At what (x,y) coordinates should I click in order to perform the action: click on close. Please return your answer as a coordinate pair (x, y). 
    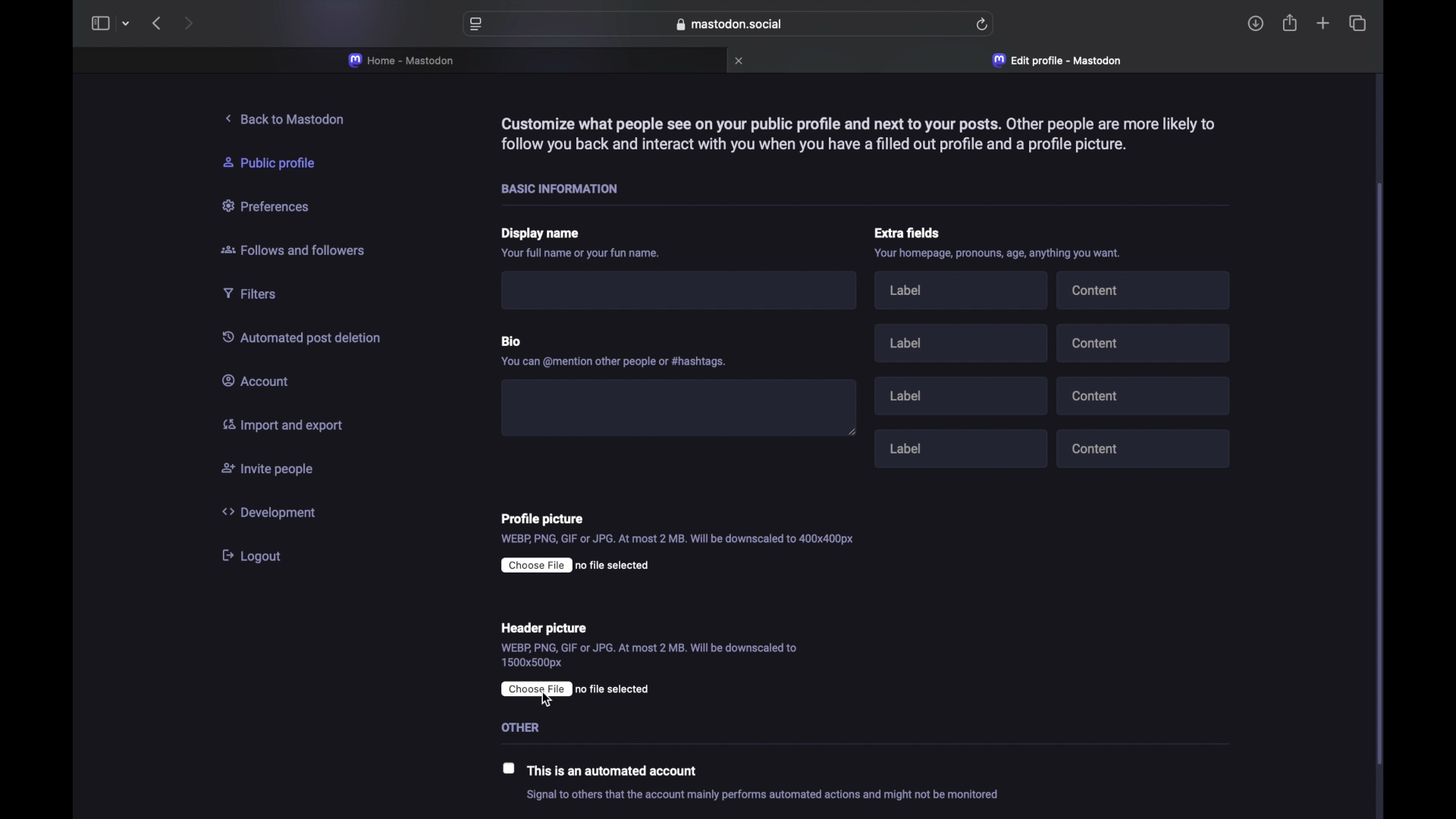
    Looking at the image, I should click on (741, 61).